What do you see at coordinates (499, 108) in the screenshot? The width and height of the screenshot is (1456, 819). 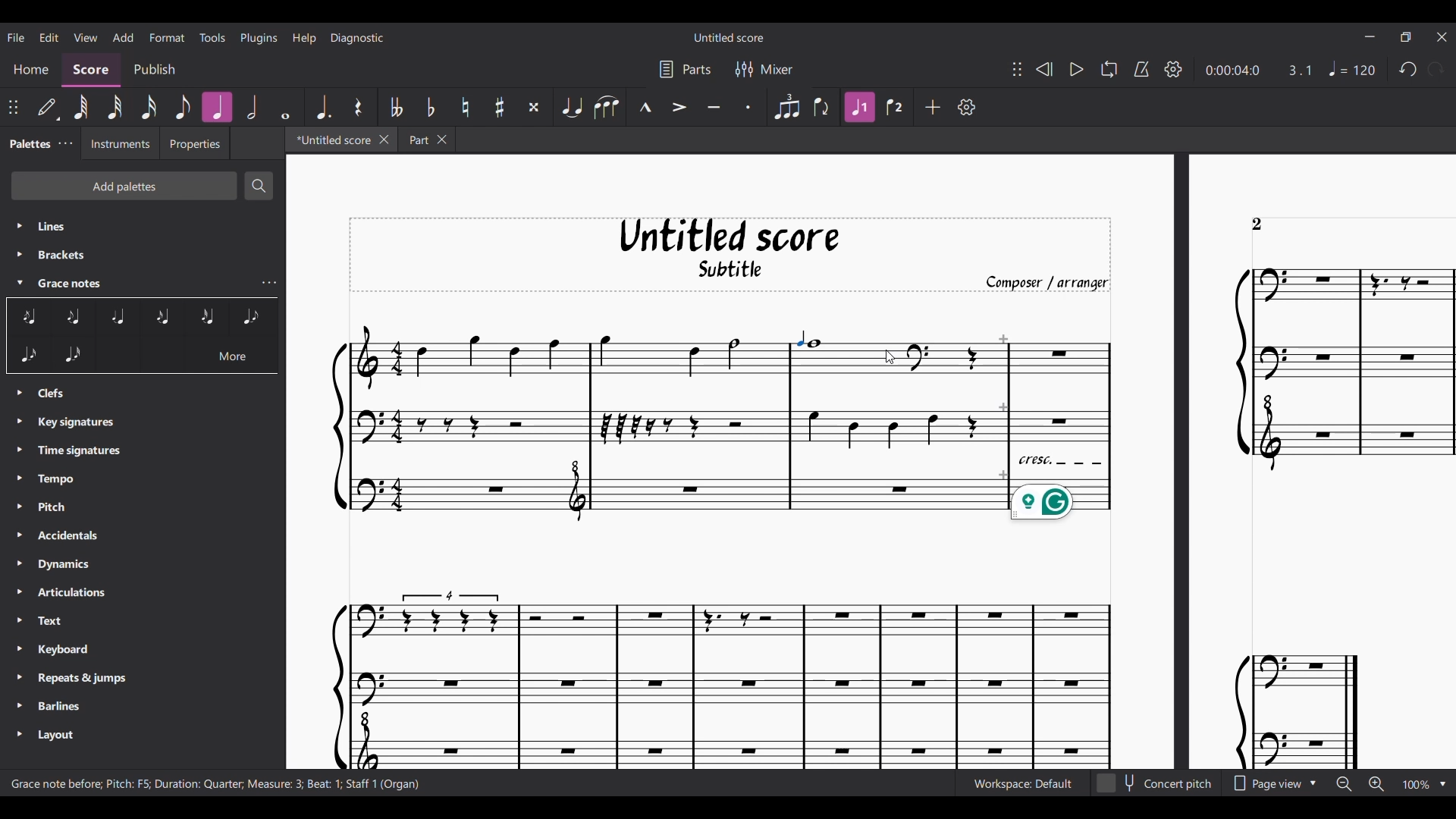 I see `Toggle sharp` at bounding box center [499, 108].